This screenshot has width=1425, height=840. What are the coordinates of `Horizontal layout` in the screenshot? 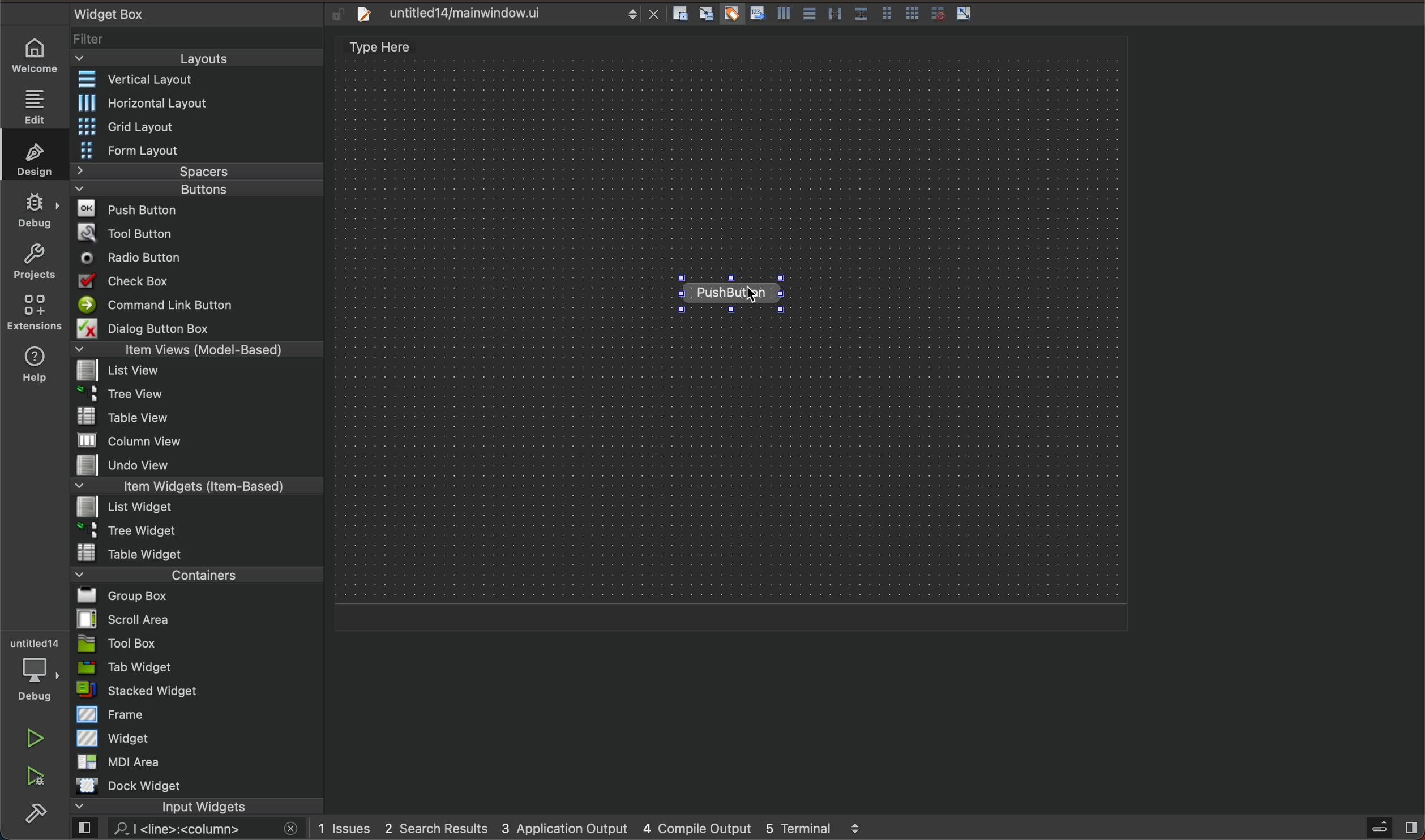 It's located at (202, 105).